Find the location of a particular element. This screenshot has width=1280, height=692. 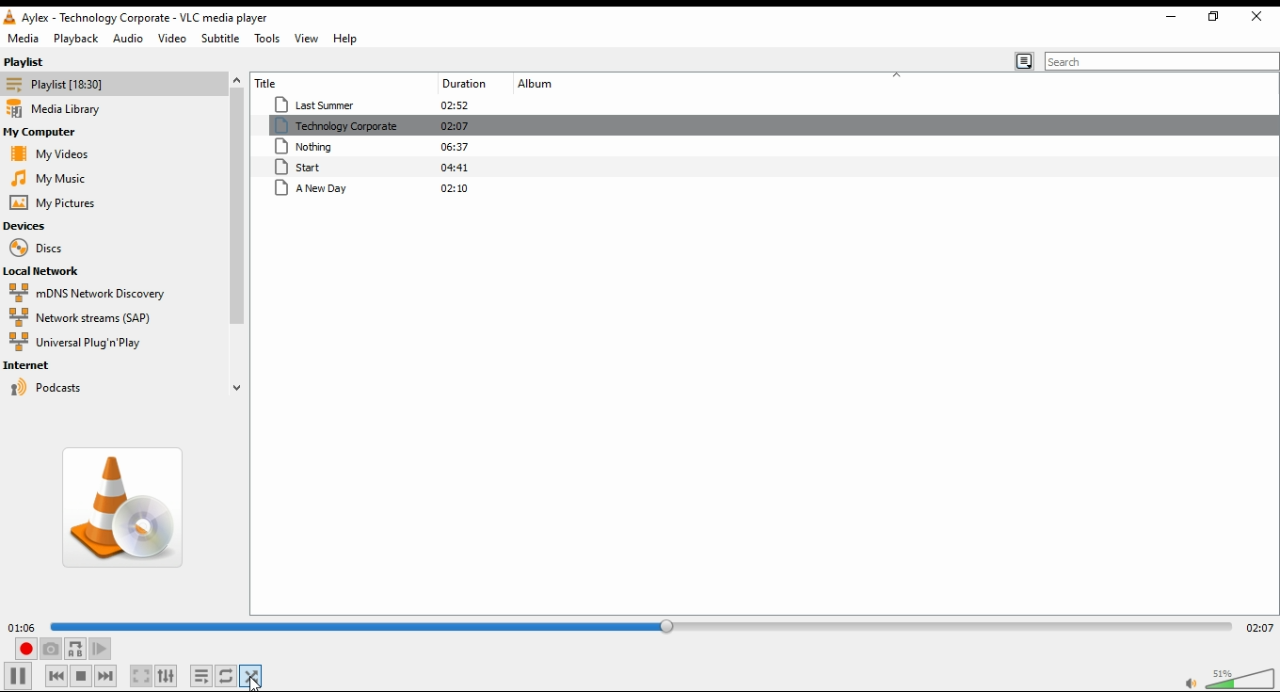

mouse on random is located at coordinates (254, 676).